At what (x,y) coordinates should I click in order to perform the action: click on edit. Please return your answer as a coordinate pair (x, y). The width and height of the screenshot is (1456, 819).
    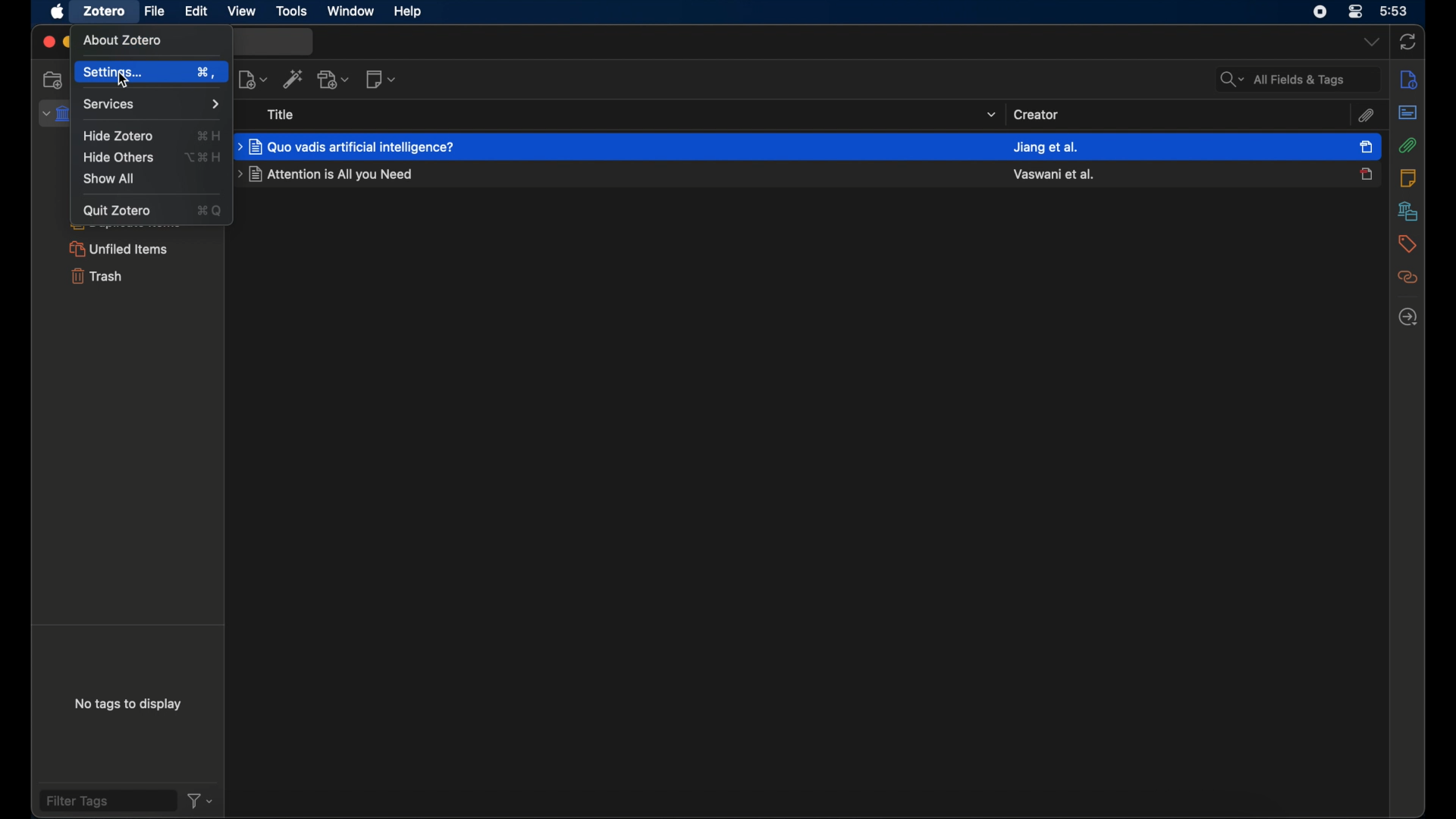
    Looking at the image, I should click on (196, 11).